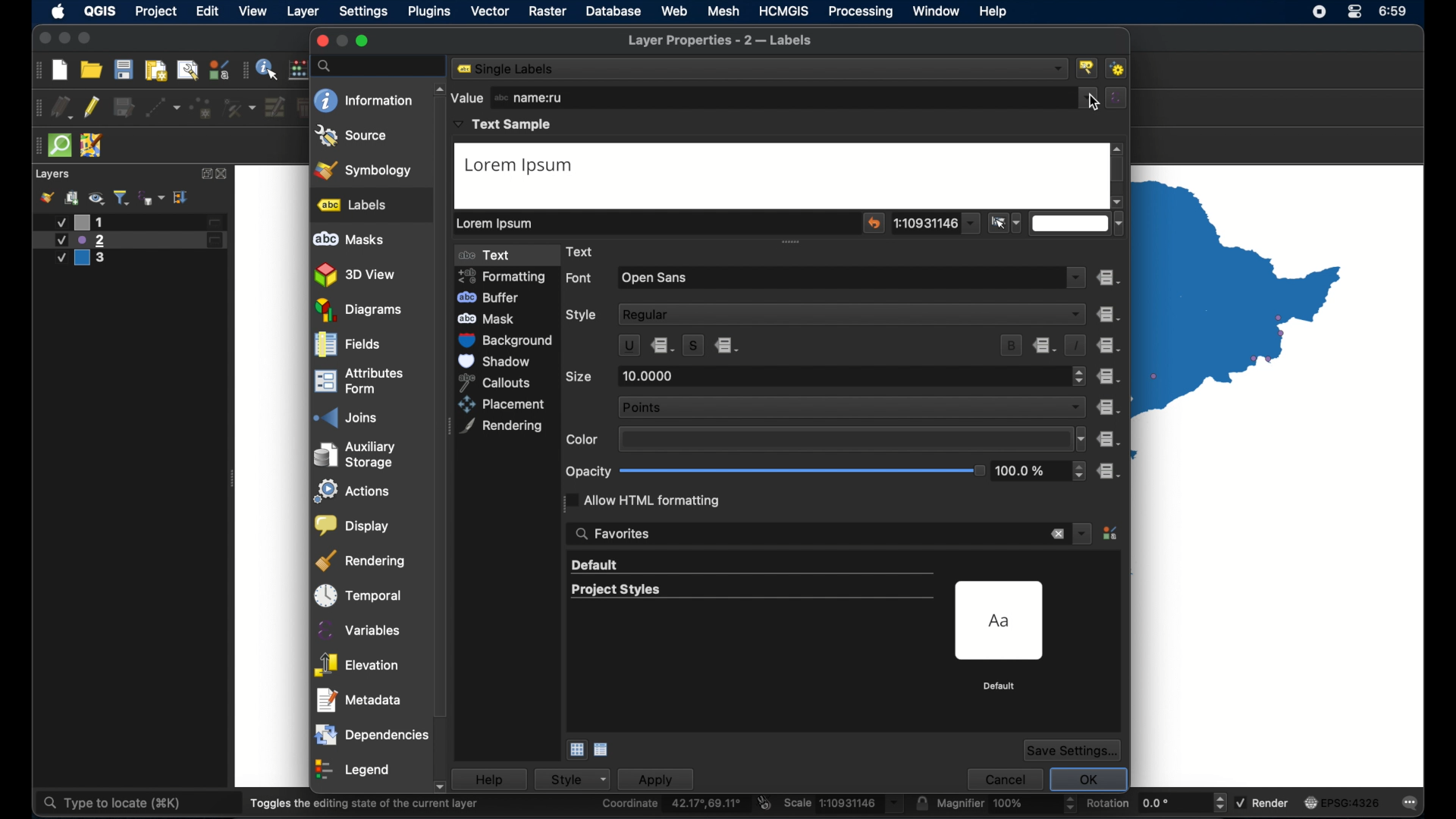 This screenshot has height=819, width=1456. I want to click on remove, so click(1056, 535).